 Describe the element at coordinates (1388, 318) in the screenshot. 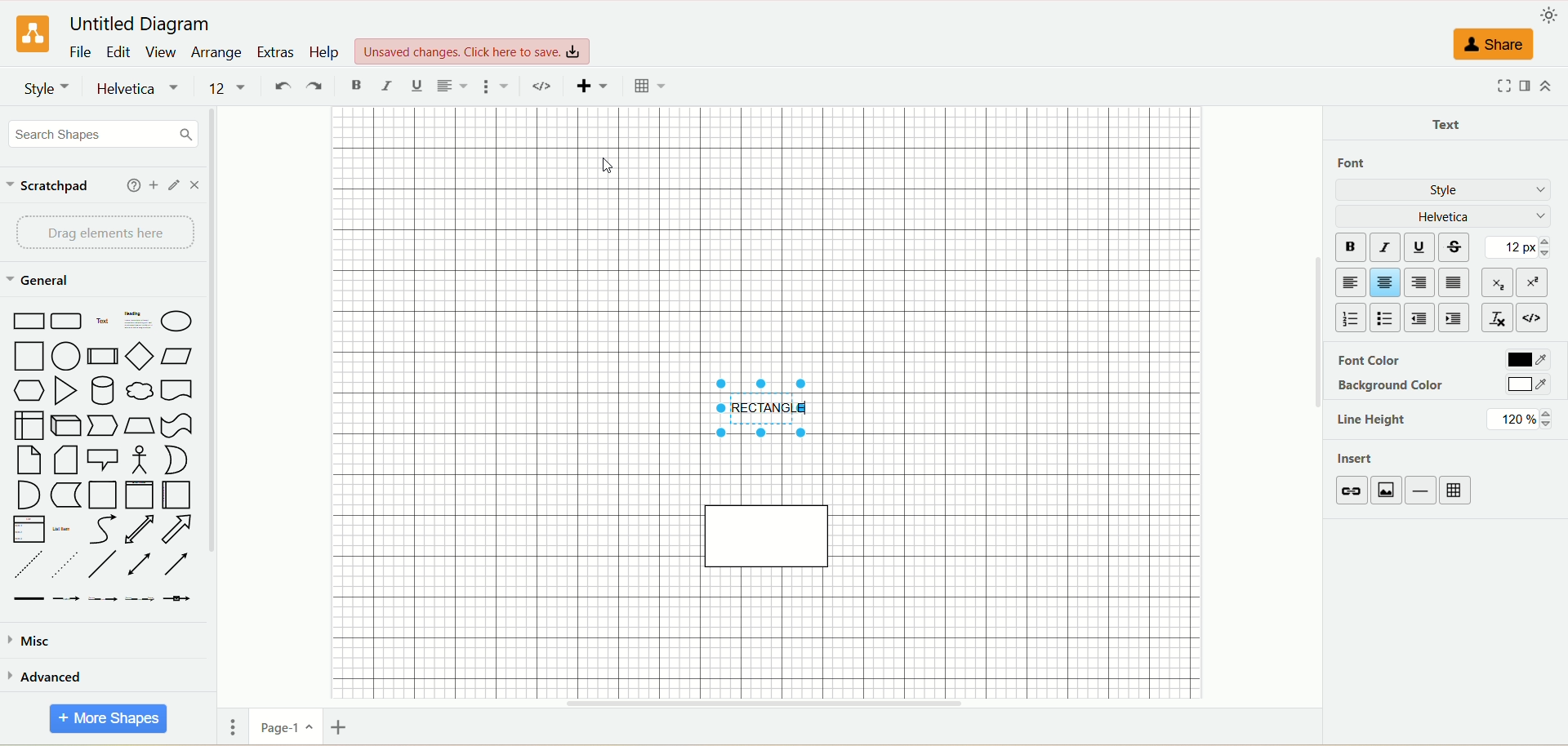

I see `bulleted list` at that location.